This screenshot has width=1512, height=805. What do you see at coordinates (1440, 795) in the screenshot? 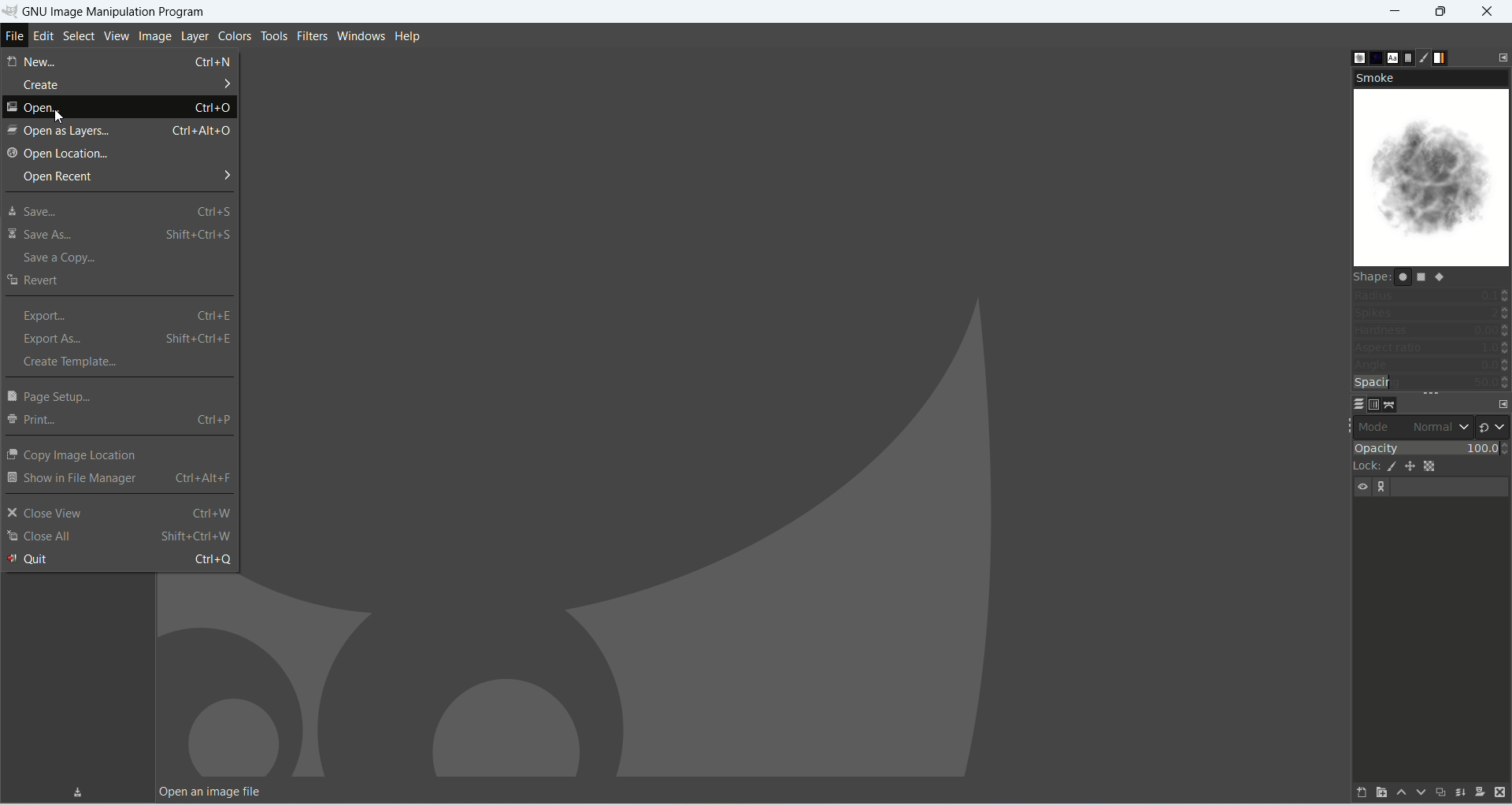
I see `create a duplicate` at bounding box center [1440, 795].